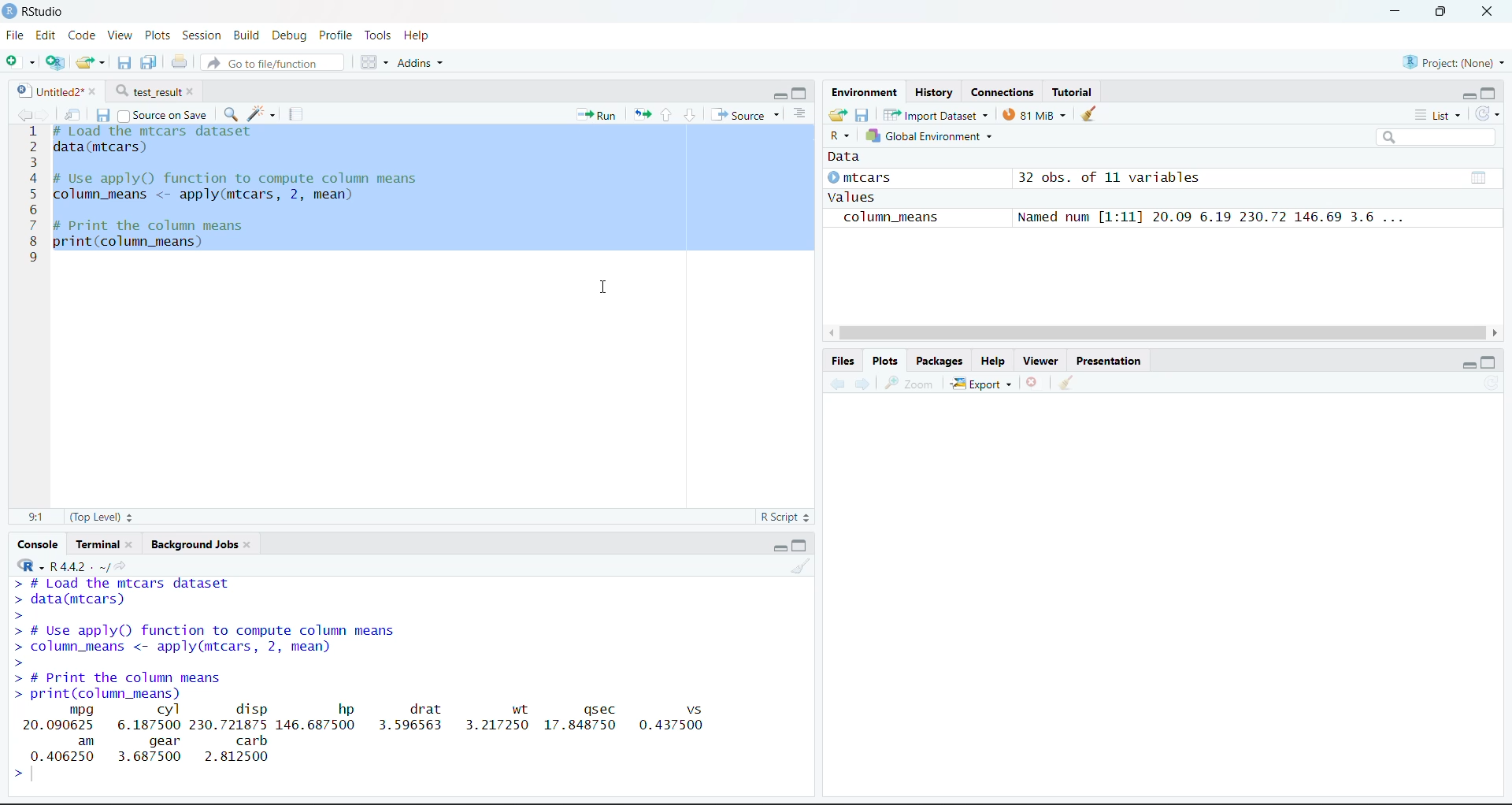 The image size is (1512, 805). What do you see at coordinates (1440, 12) in the screenshot?
I see `Maximize` at bounding box center [1440, 12].